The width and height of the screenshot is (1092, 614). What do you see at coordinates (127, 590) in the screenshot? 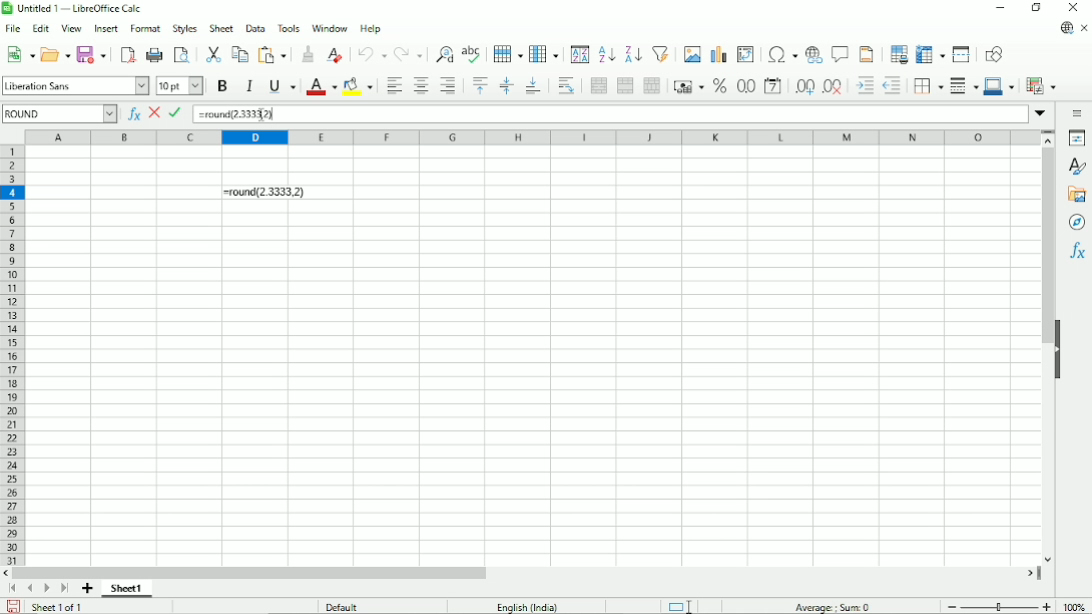
I see `Sheet 1` at bounding box center [127, 590].